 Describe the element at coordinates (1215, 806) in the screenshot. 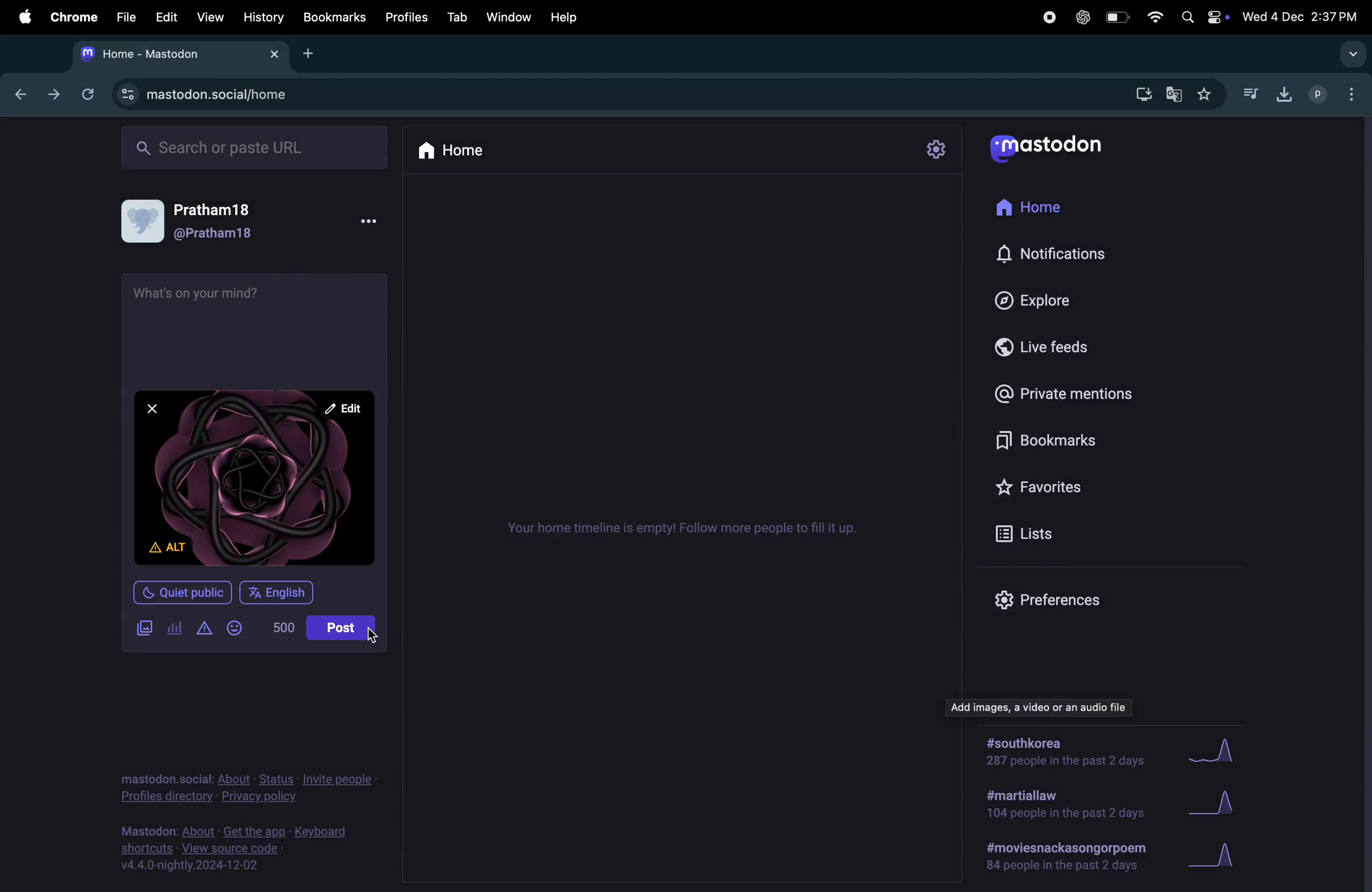

I see `Graph` at that location.